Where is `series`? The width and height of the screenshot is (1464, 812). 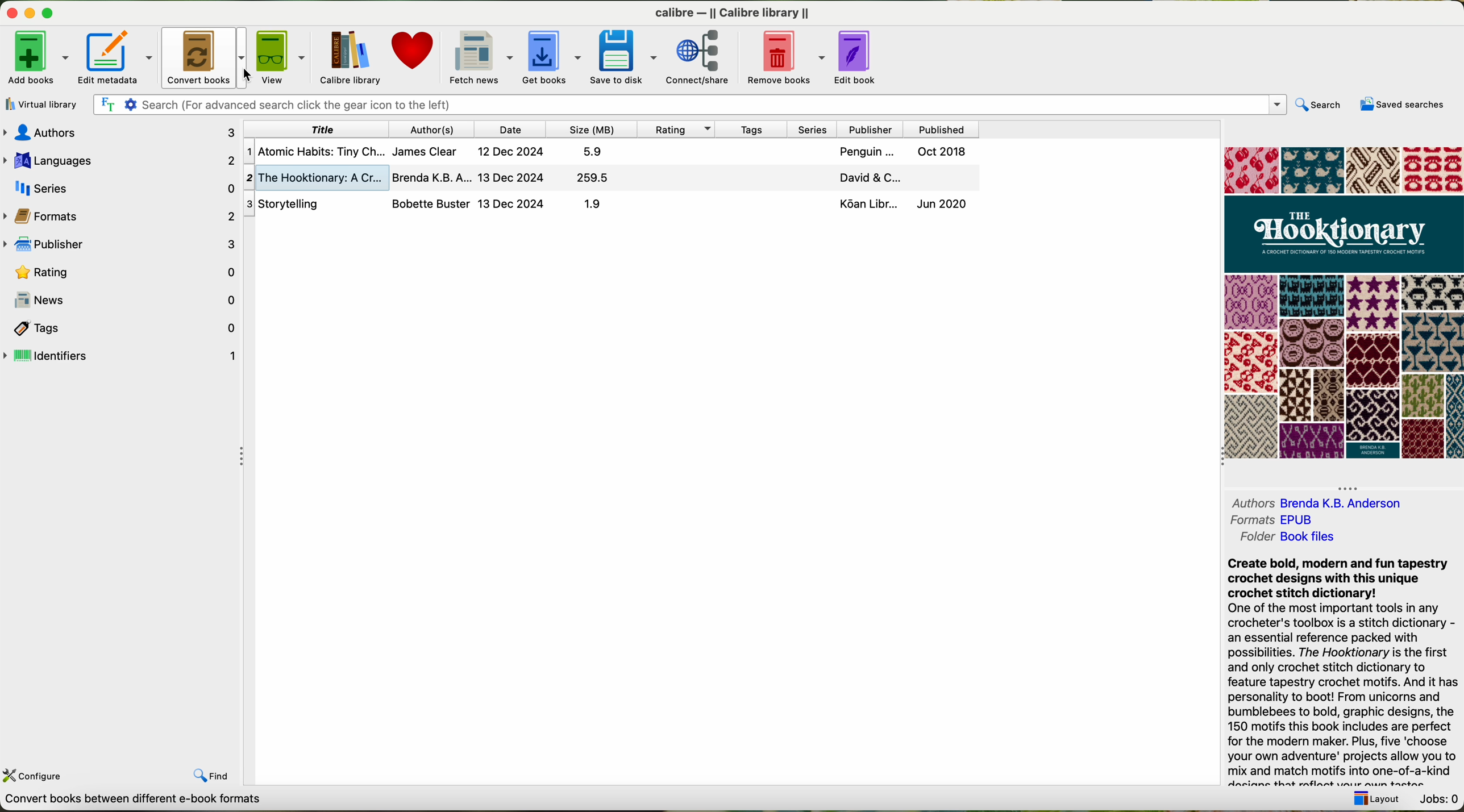
series is located at coordinates (814, 130).